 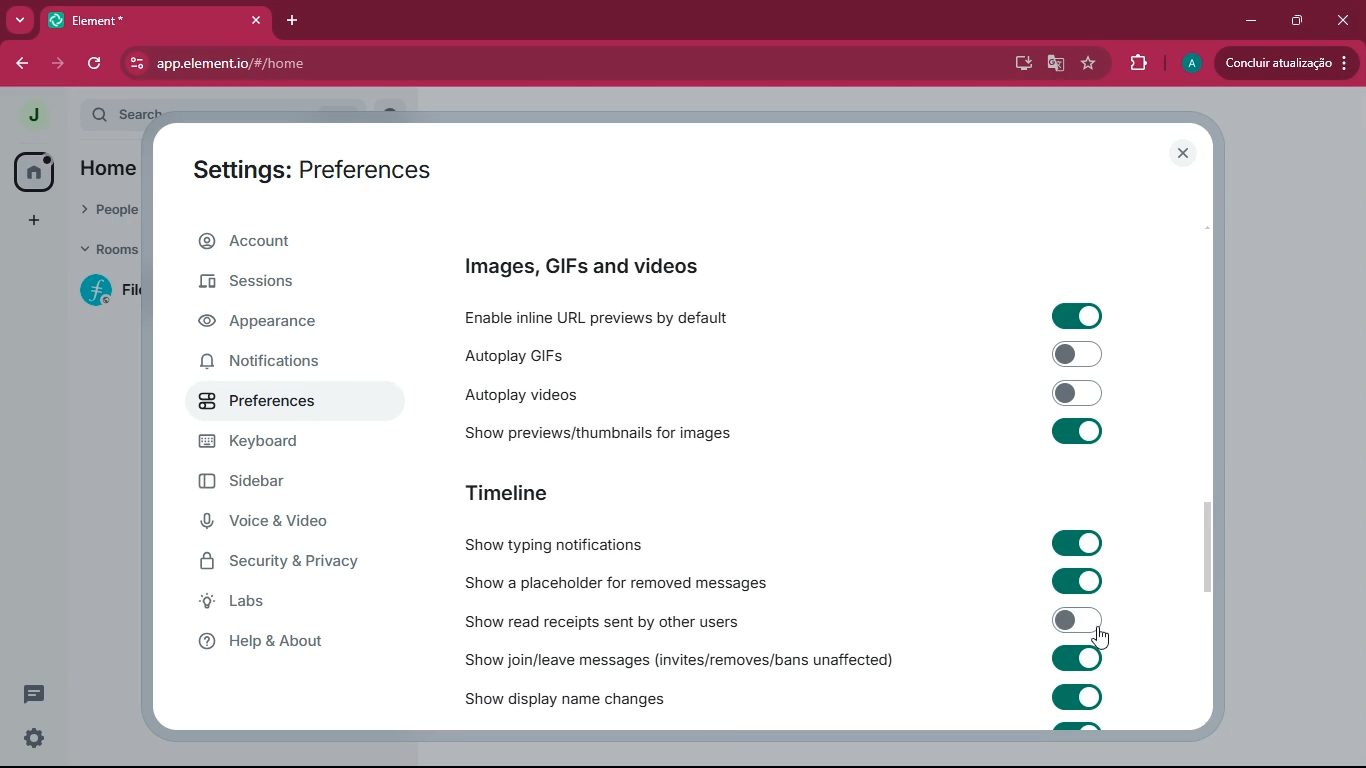 What do you see at coordinates (1210, 547) in the screenshot?
I see `scroll bar` at bounding box center [1210, 547].